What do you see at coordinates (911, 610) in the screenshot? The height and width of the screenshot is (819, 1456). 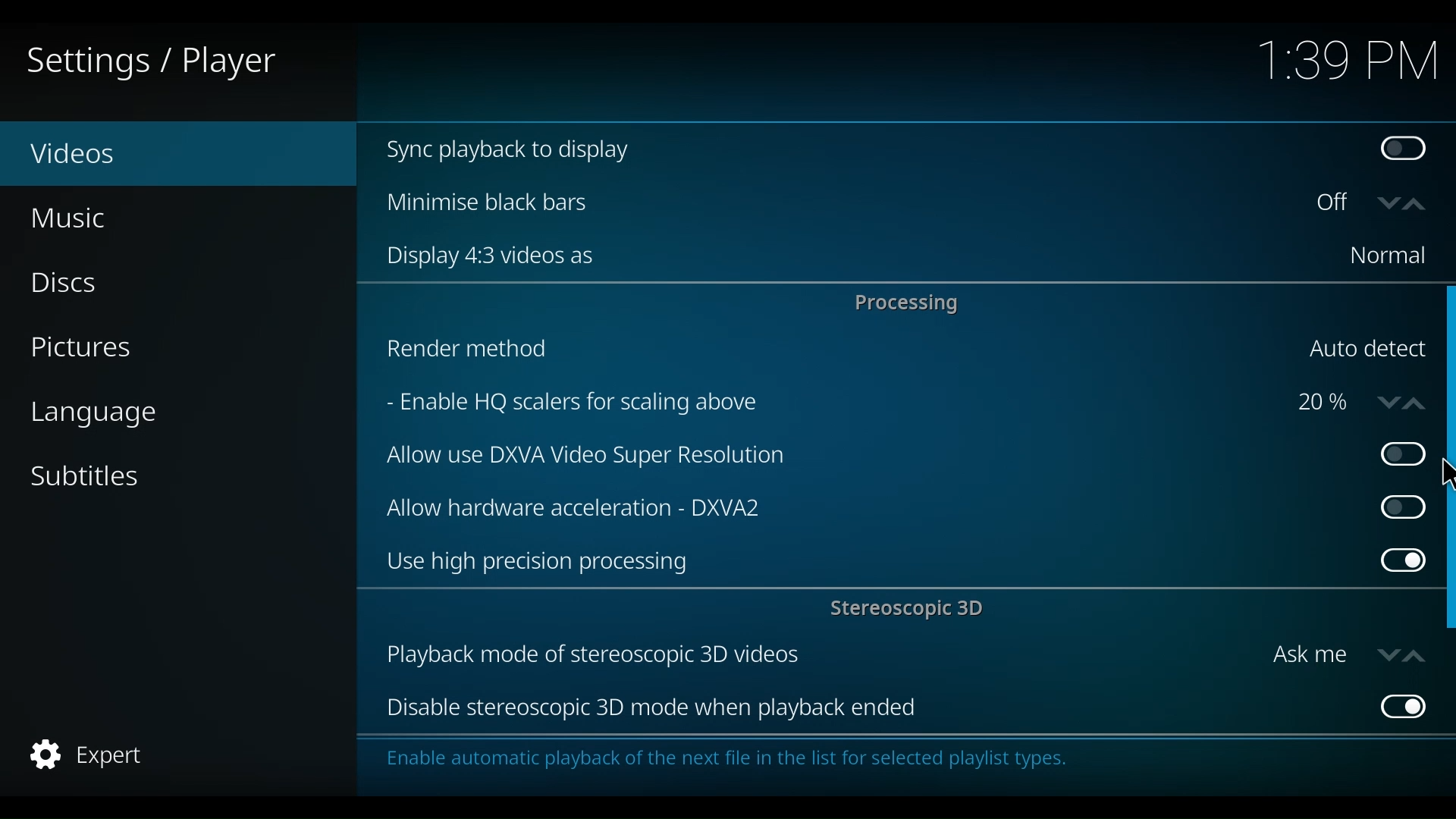 I see `Stereoscopic 3D` at bounding box center [911, 610].